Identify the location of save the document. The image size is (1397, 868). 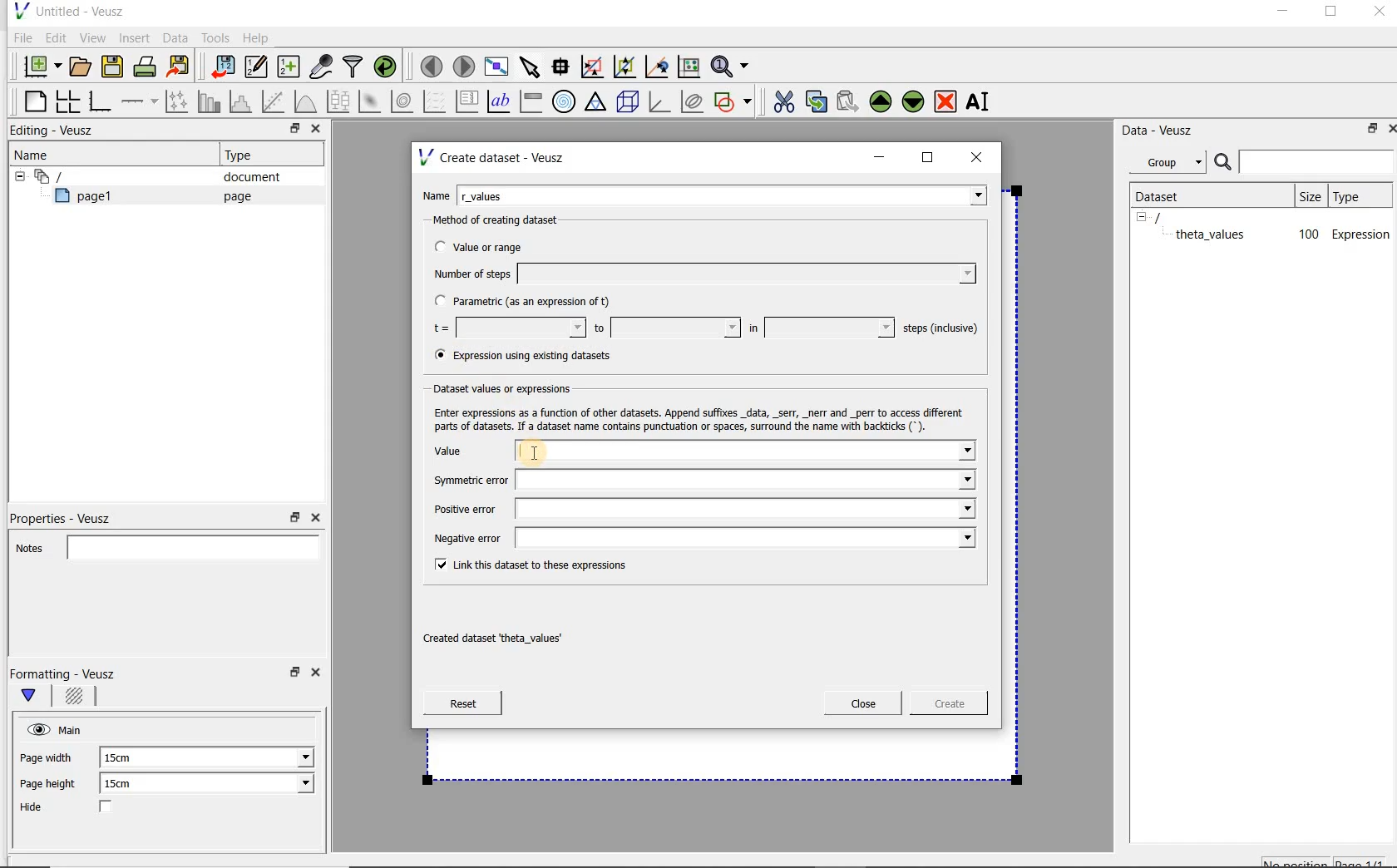
(116, 67).